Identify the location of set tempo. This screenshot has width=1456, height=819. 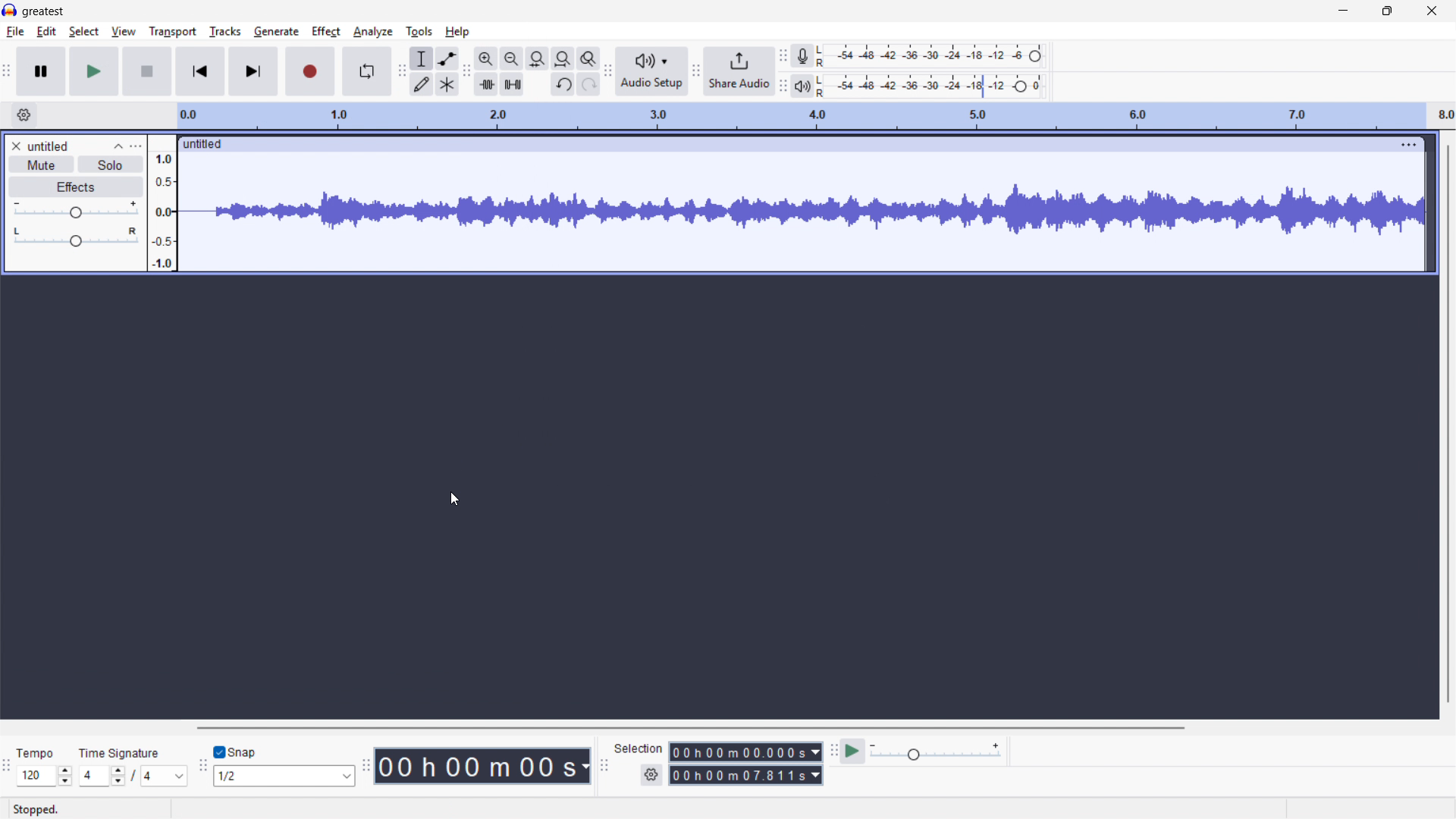
(44, 776).